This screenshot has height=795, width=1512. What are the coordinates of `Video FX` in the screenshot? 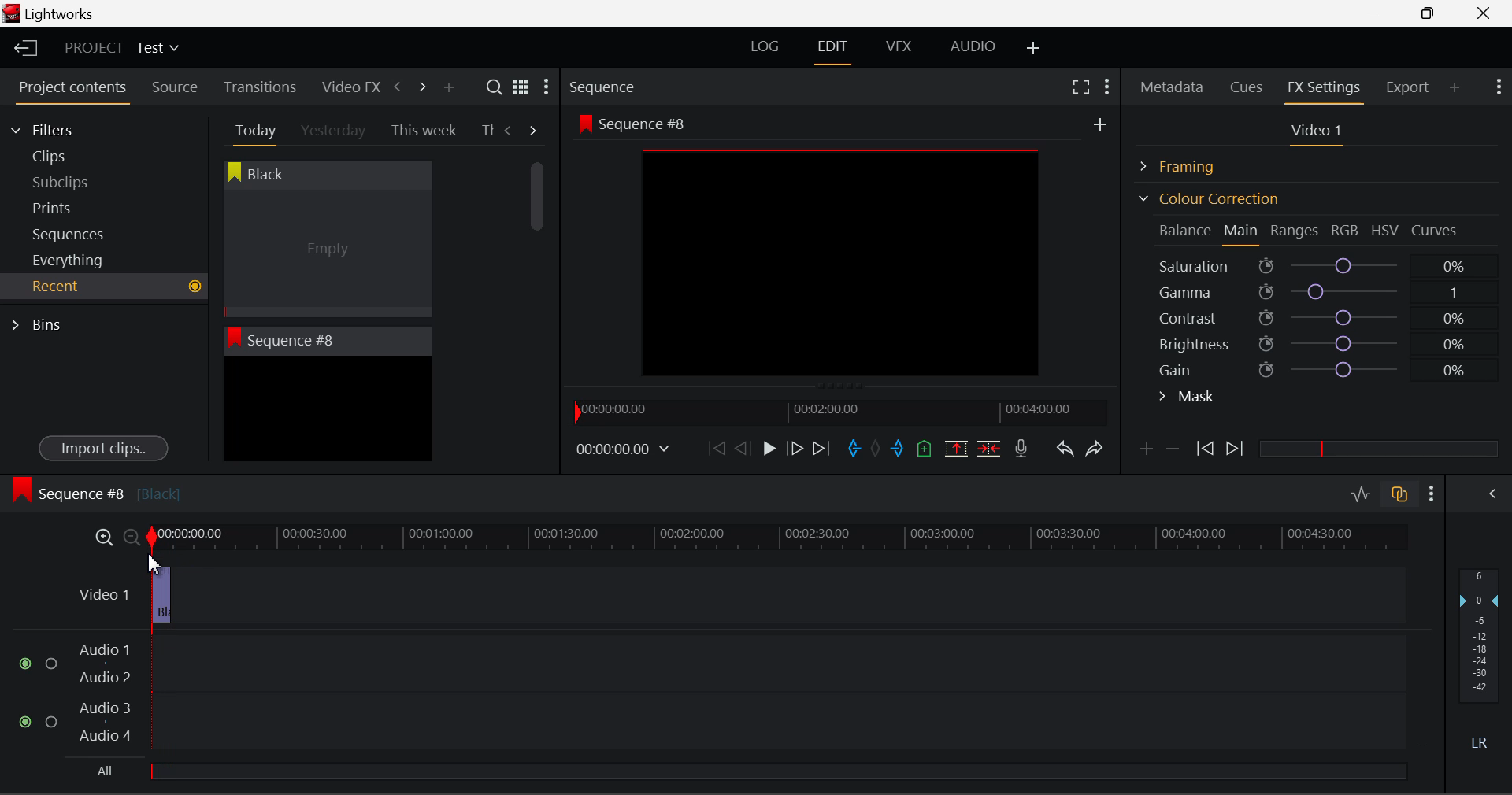 It's located at (346, 87).